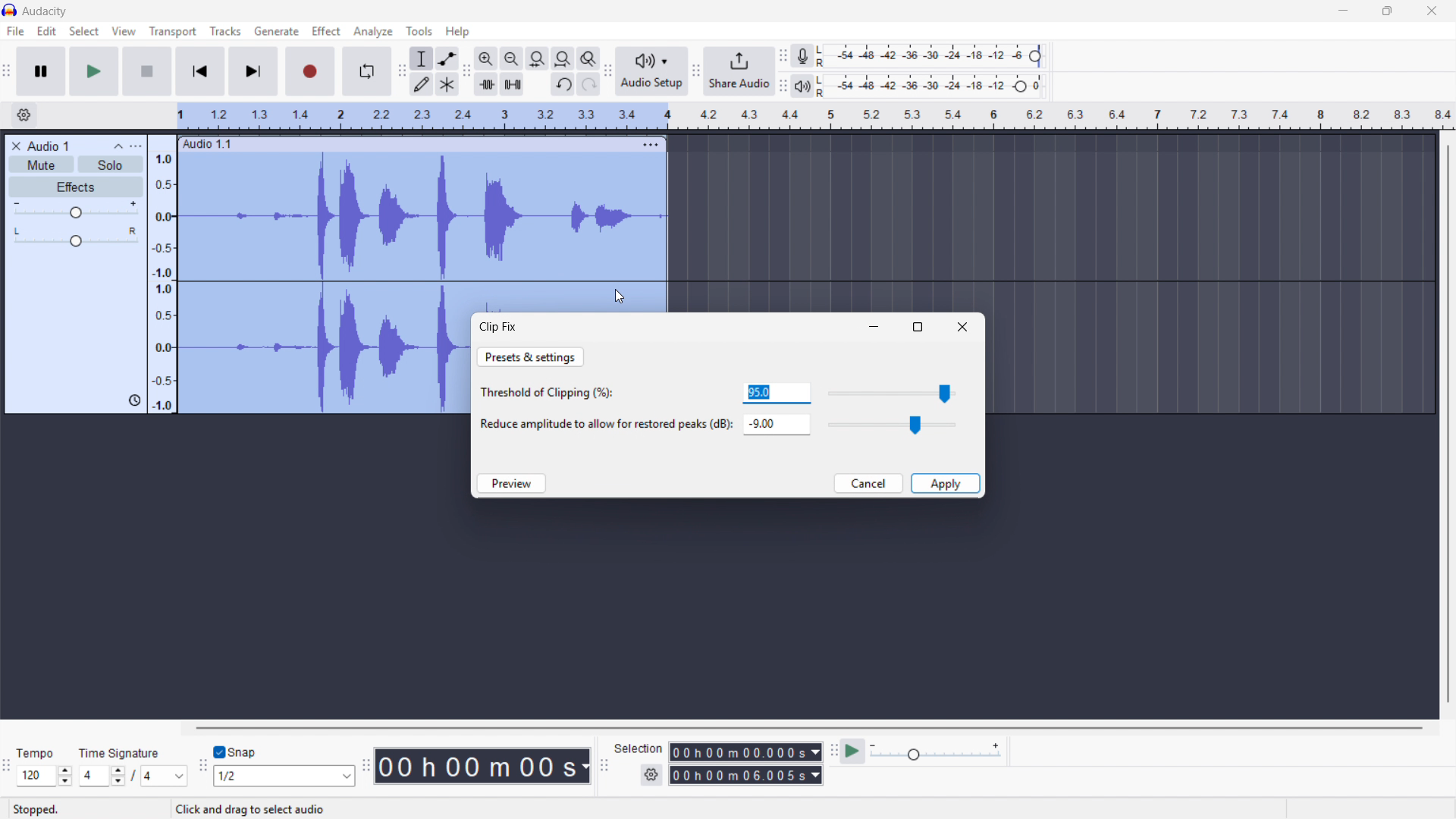  Describe the element at coordinates (284, 776) in the screenshot. I see `Set snapping` at that location.